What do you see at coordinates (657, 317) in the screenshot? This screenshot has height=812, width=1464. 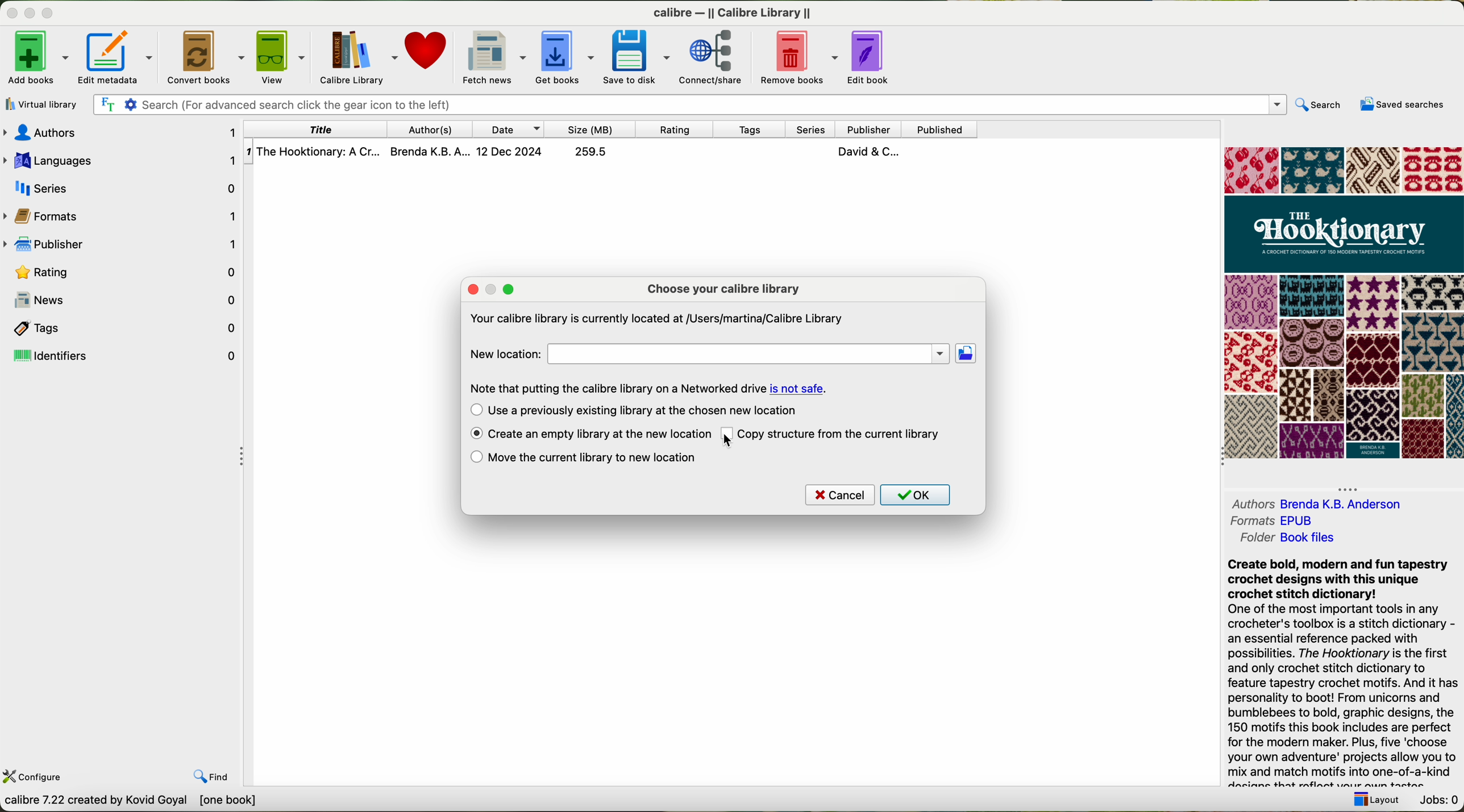 I see `Your calibre library is currently located at /Users/martina/Calibre Library` at bounding box center [657, 317].